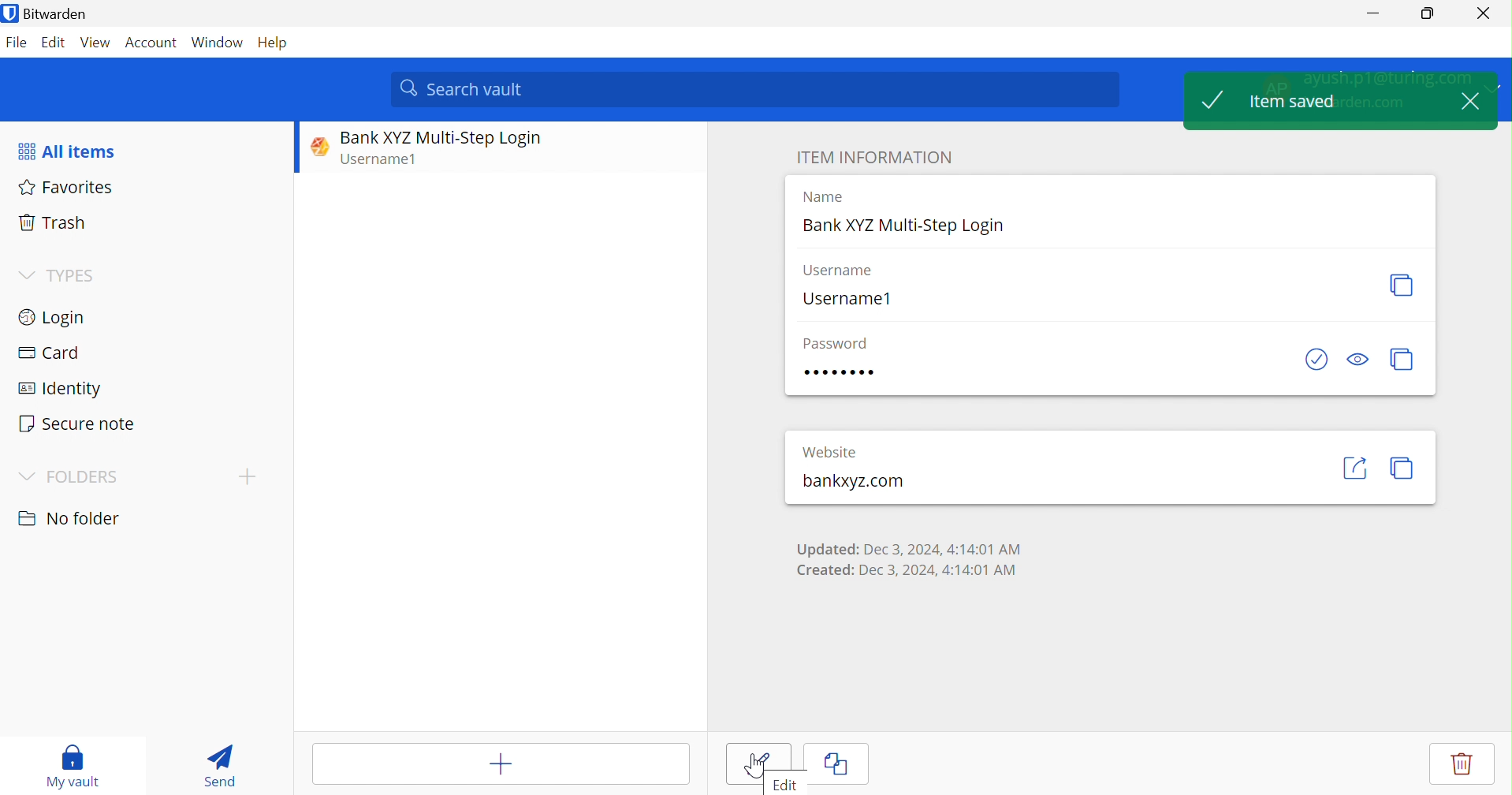 This screenshot has height=795, width=1512. I want to click on Website logo, so click(315, 146).